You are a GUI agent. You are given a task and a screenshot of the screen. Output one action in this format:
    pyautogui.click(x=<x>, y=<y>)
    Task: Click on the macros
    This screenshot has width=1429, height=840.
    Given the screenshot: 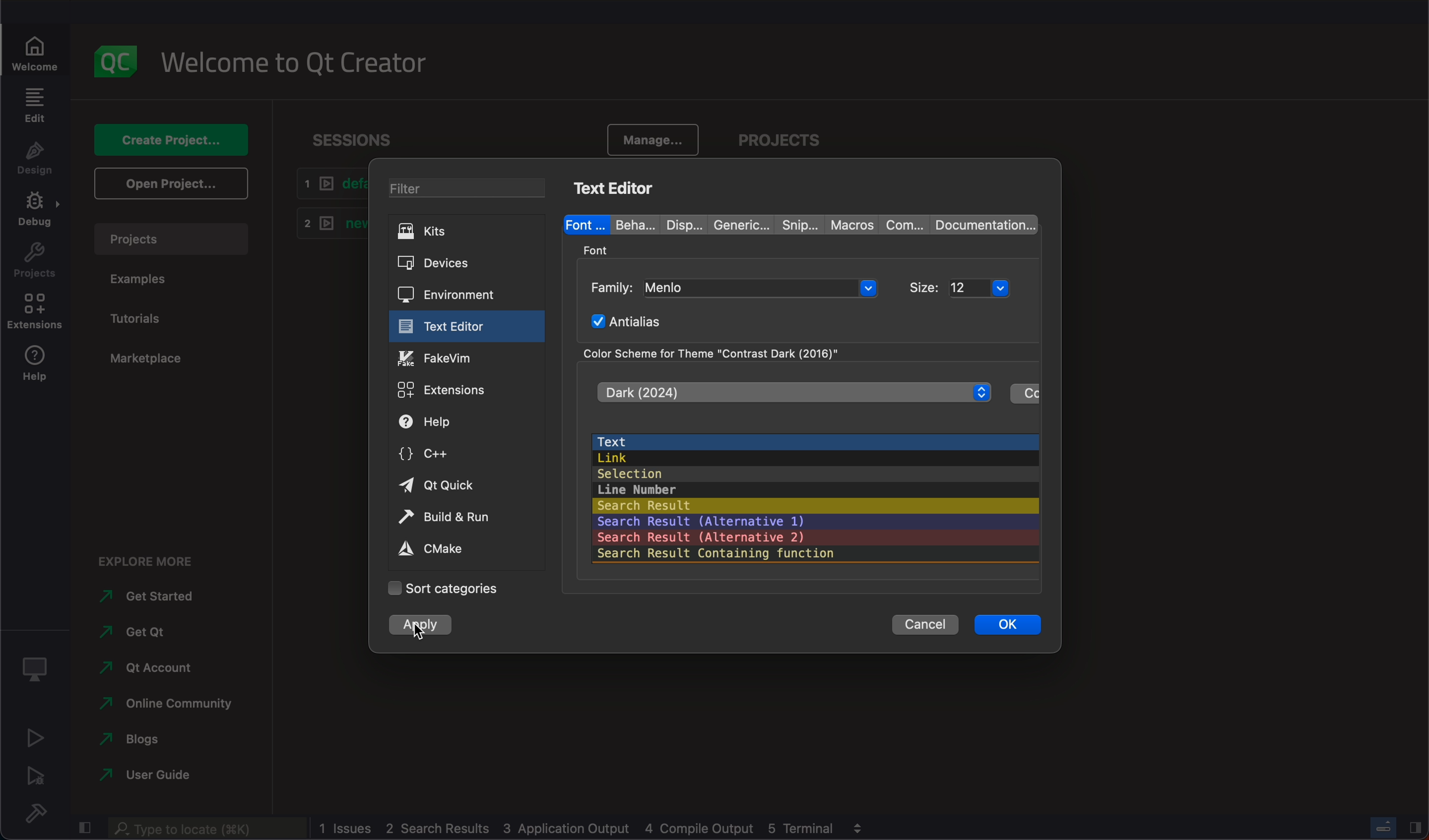 What is the action you would take?
    pyautogui.click(x=848, y=223)
    